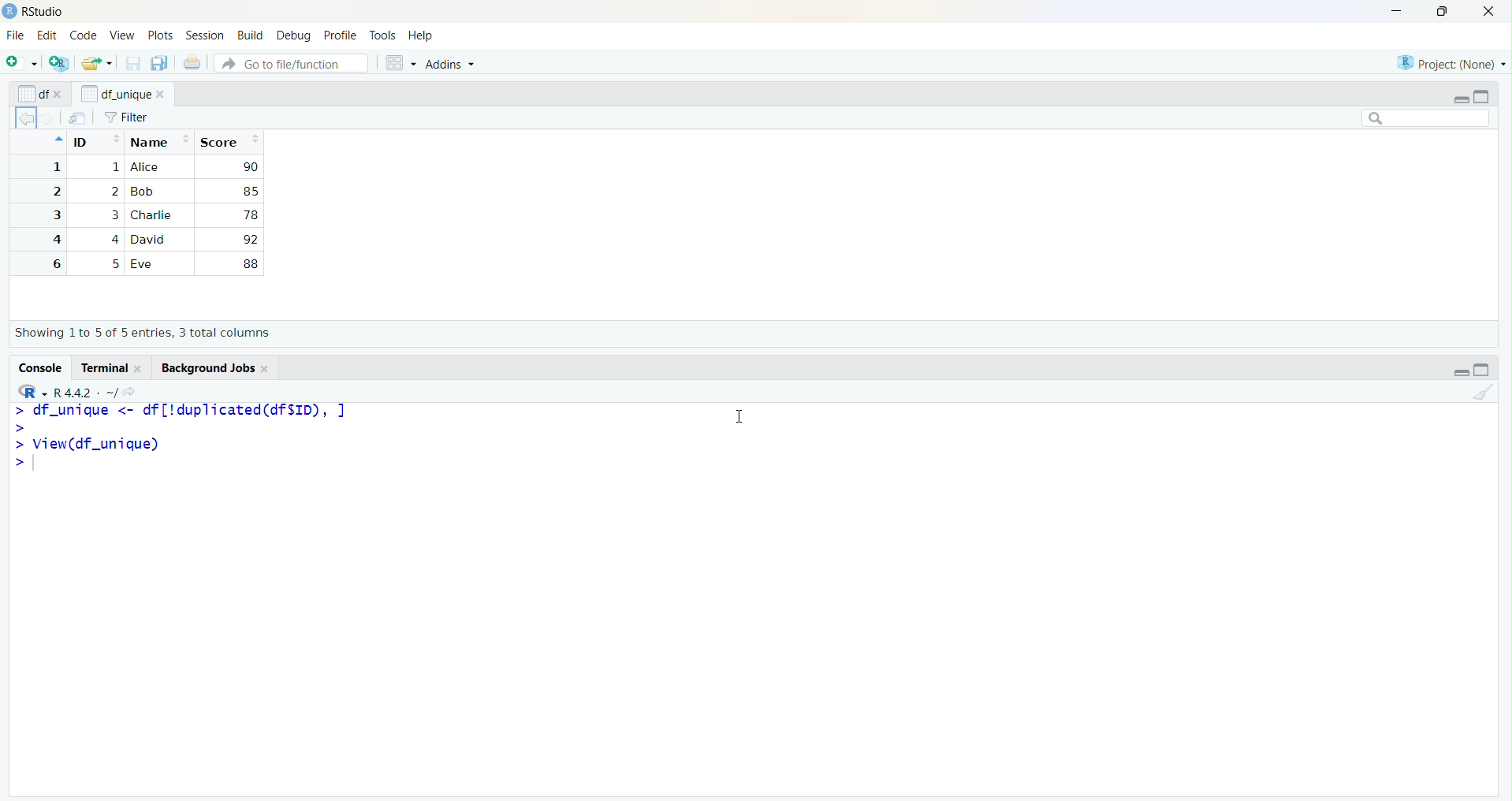 Image resolution: width=1512 pixels, height=801 pixels. I want to click on Plots, so click(161, 36).